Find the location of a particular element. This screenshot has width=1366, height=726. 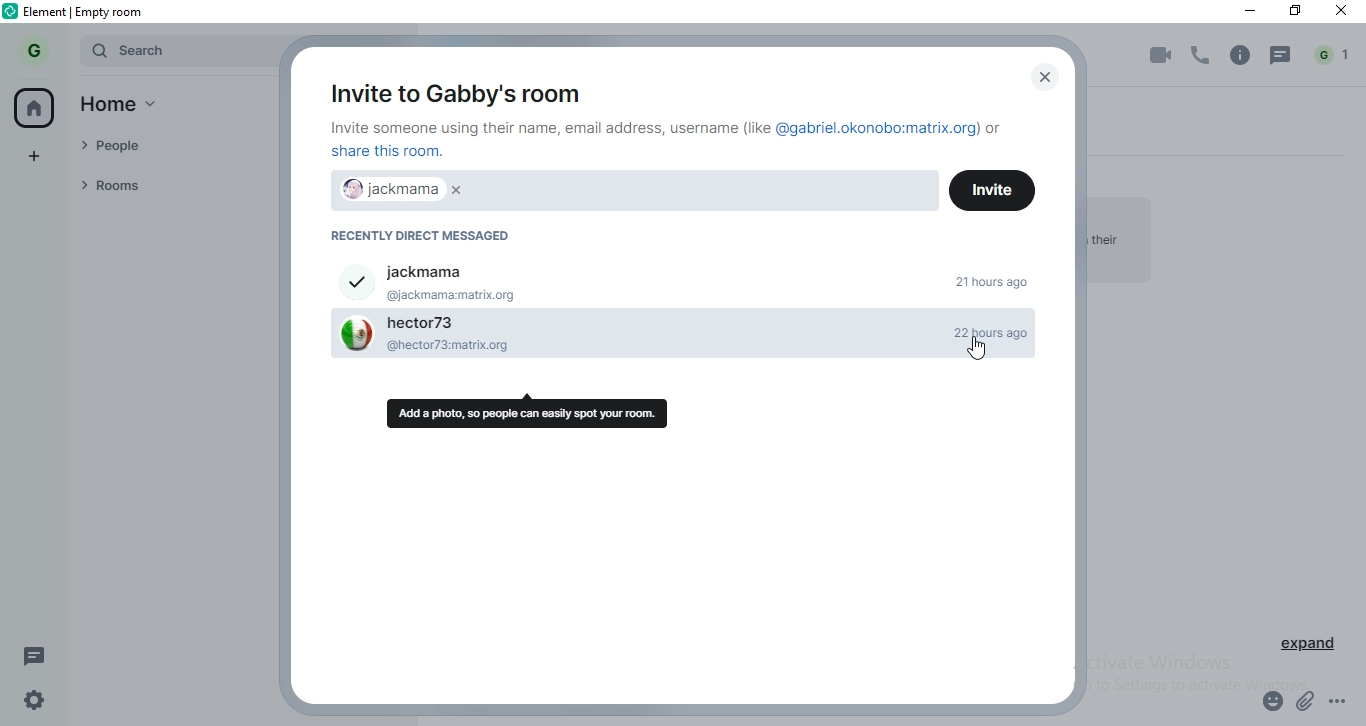

hector73 is located at coordinates (641, 342).